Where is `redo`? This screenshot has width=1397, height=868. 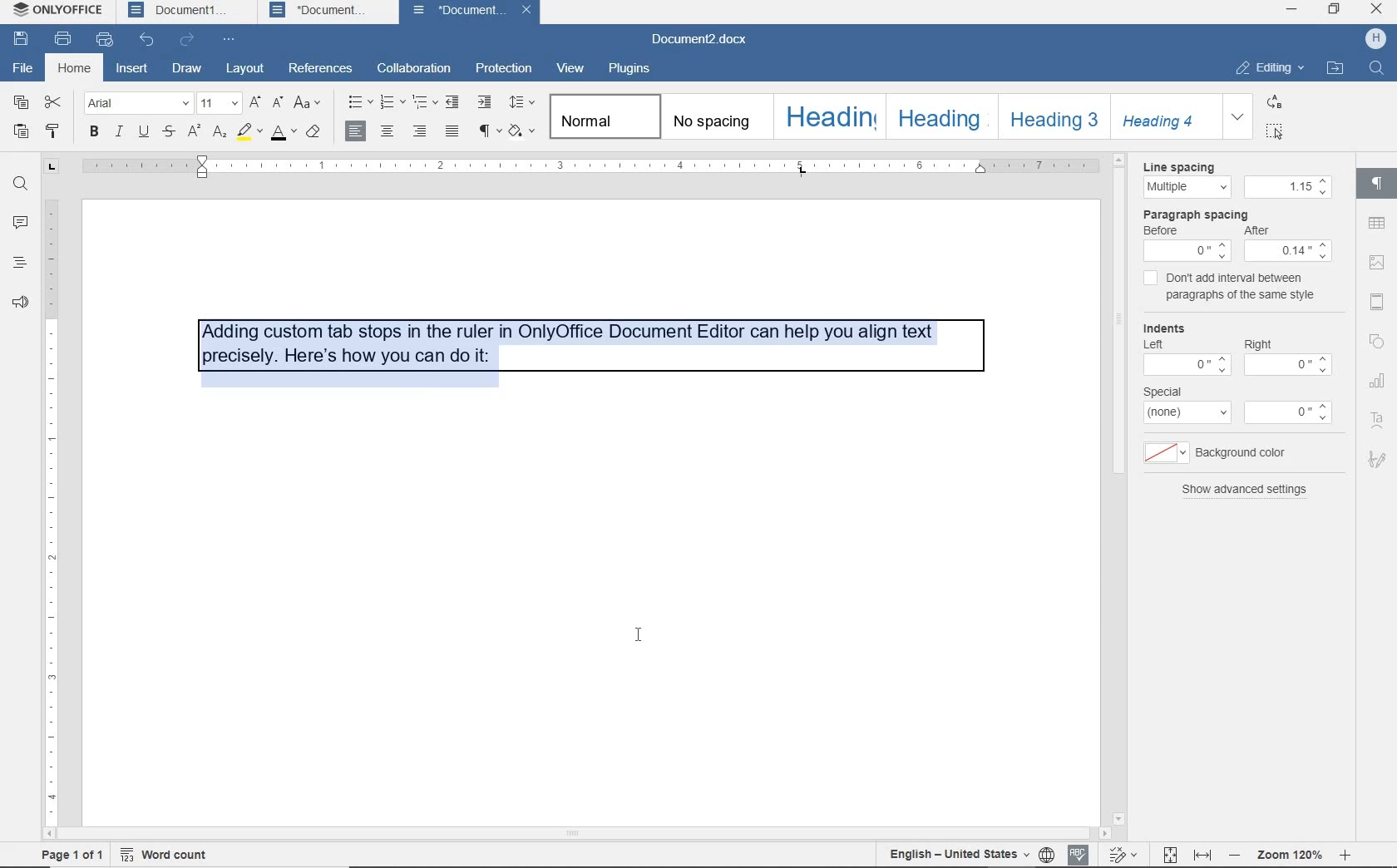
redo is located at coordinates (188, 42).